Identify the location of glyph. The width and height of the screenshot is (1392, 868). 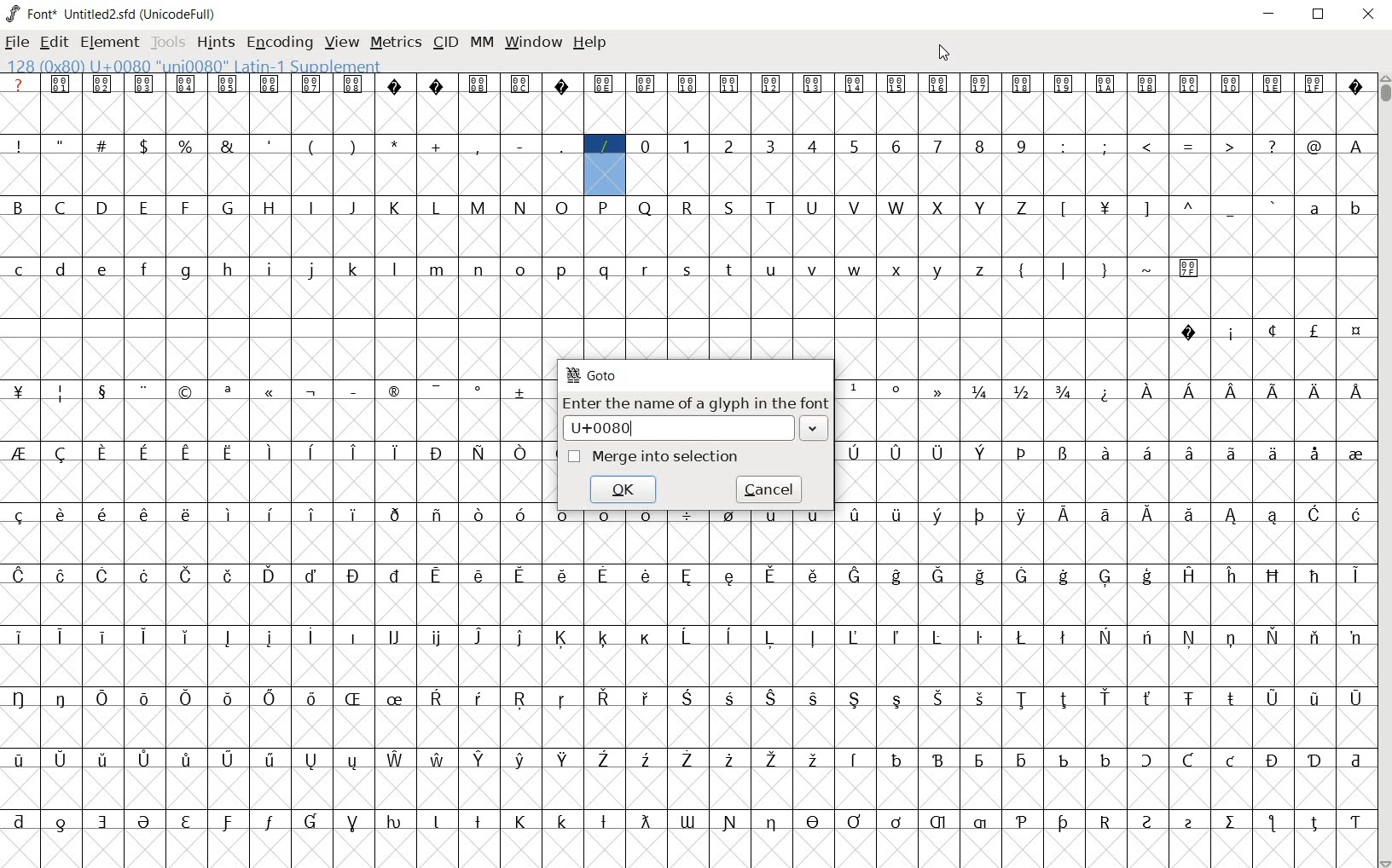
(645, 146).